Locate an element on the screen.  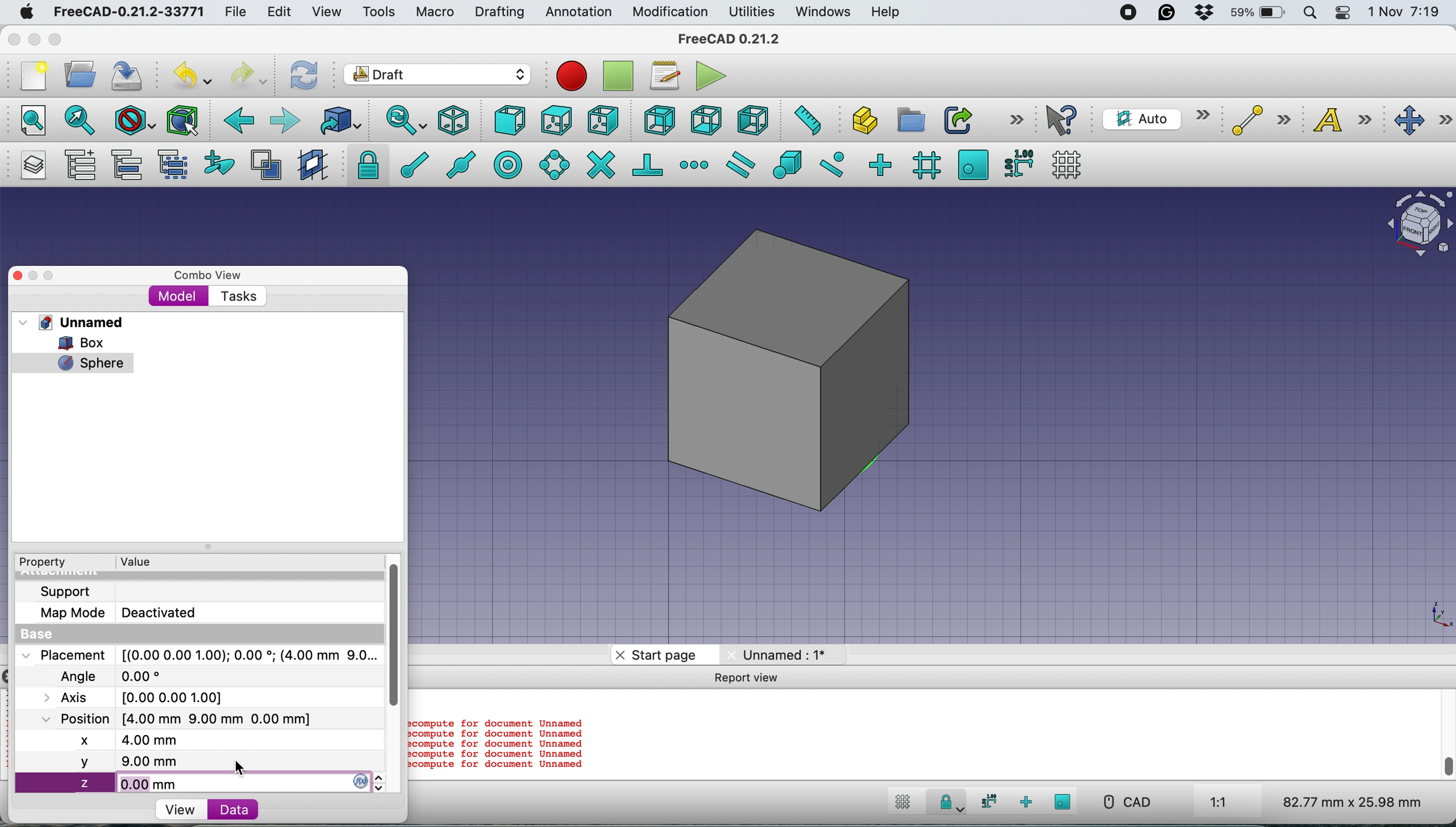
close tab is located at coordinates (730, 654).